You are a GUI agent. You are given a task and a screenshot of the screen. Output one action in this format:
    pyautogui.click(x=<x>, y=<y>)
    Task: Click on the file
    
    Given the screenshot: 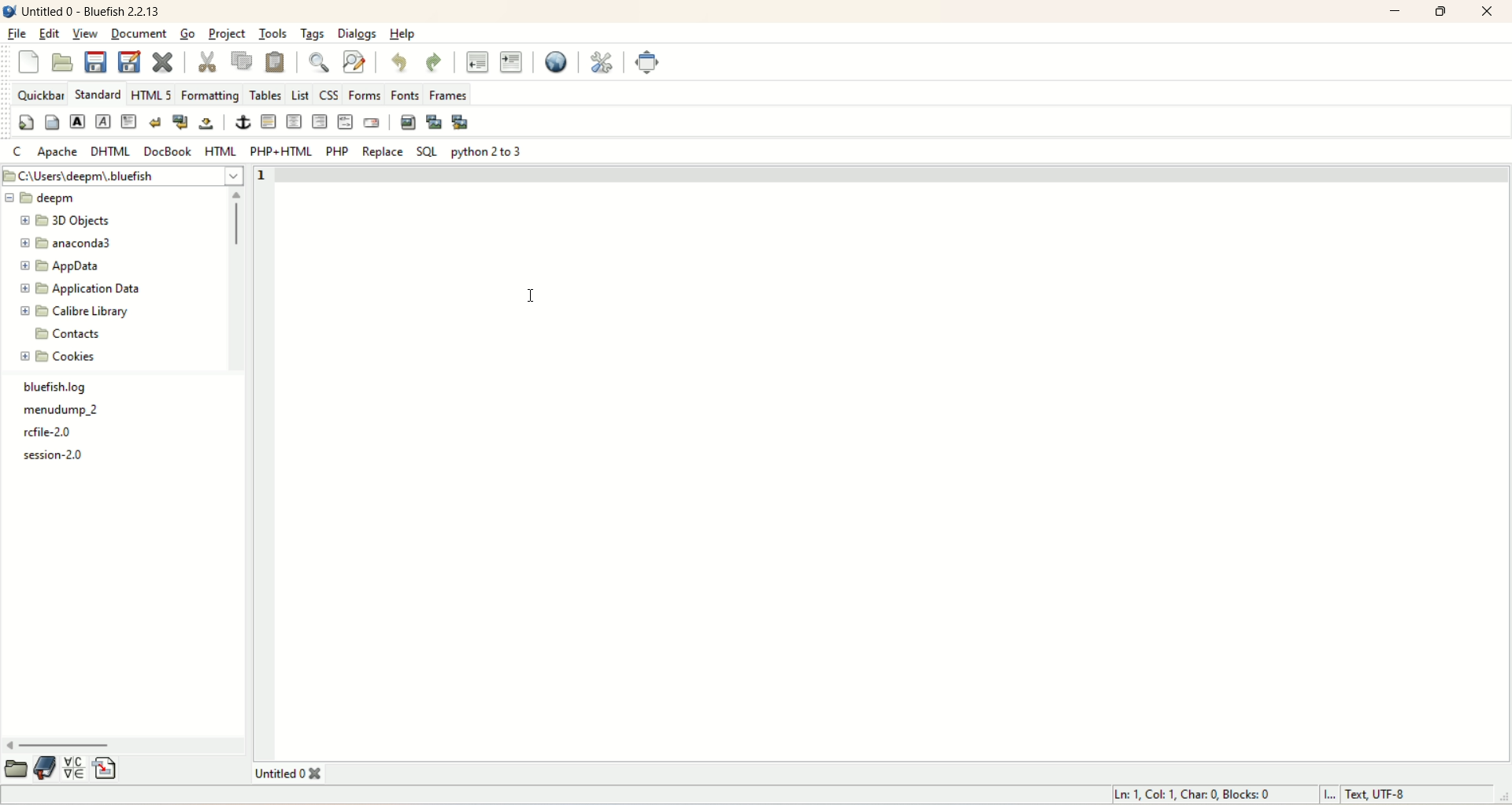 What is the action you would take?
    pyautogui.click(x=17, y=34)
    